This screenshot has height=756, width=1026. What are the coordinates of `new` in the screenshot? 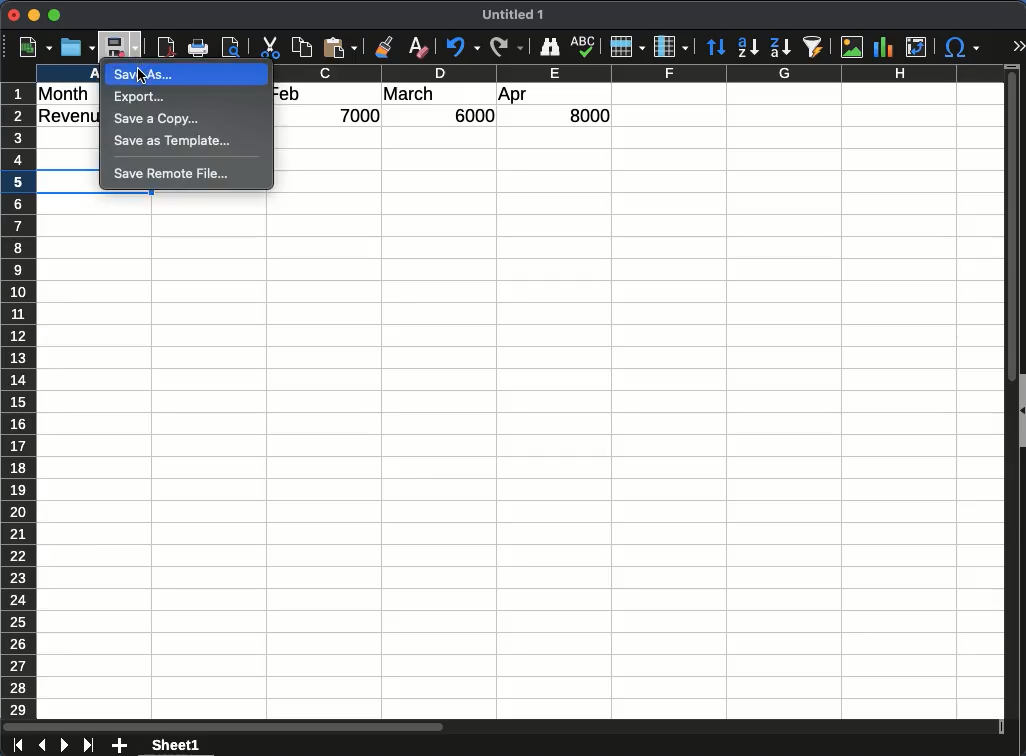 It's located at (33, 47).